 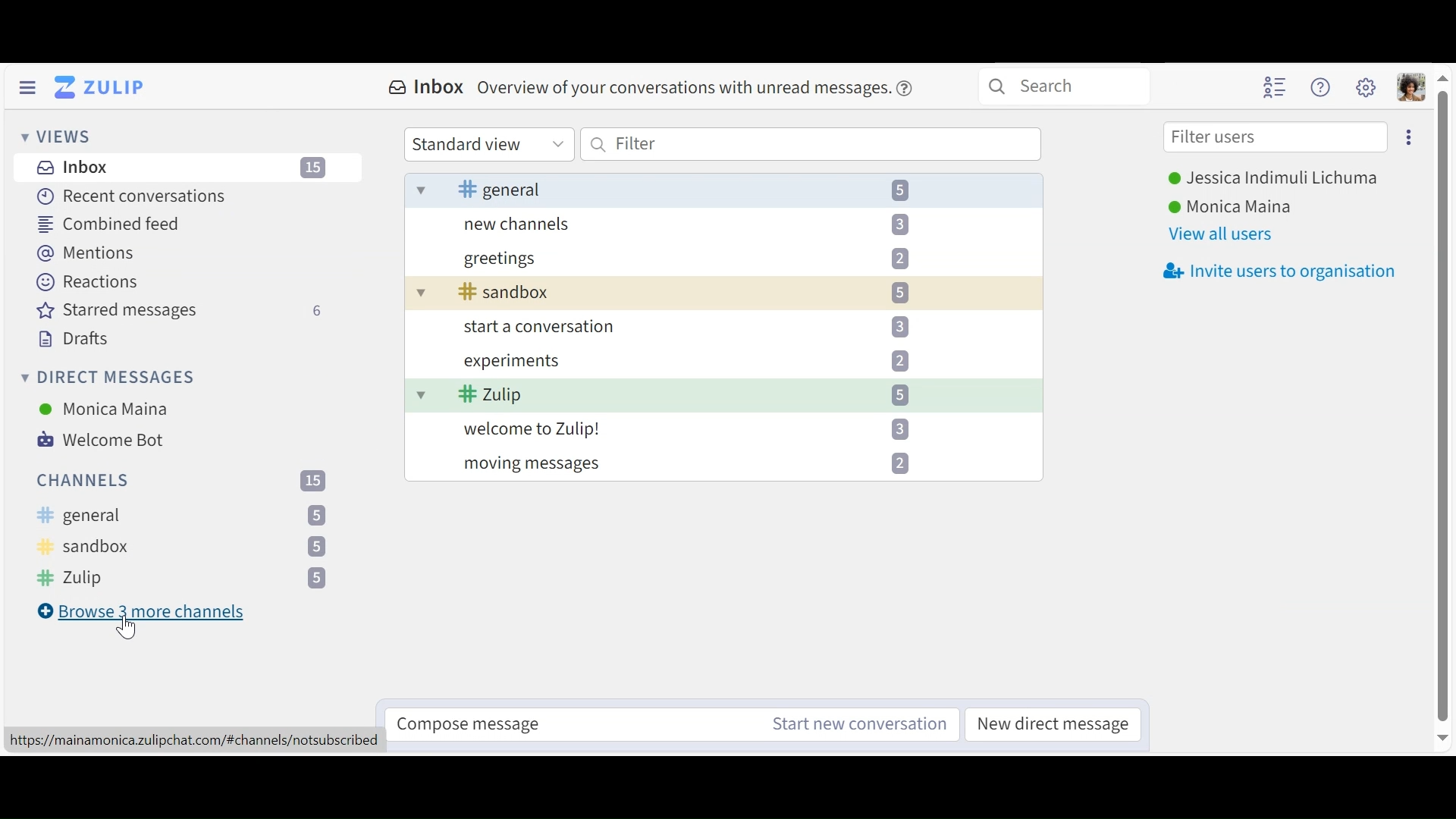 I want to click on Main menu, so click(x=1367, y=86).